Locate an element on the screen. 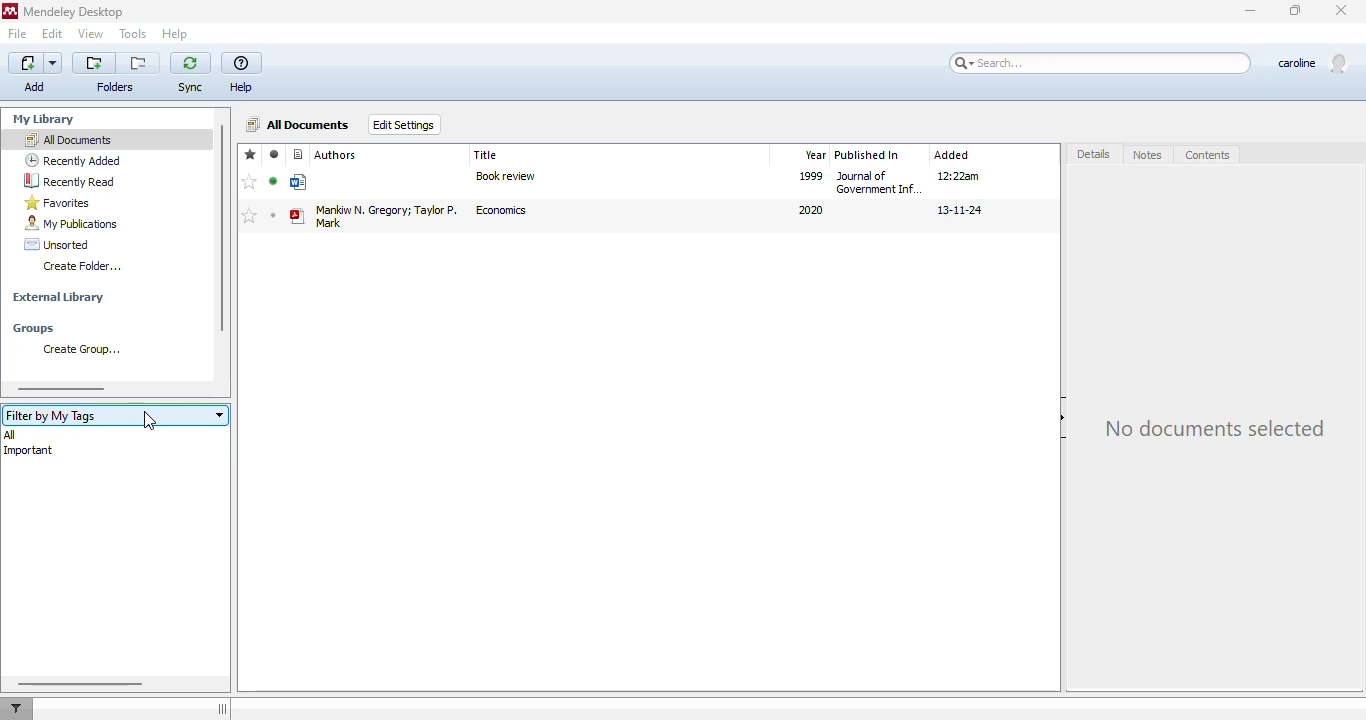 Image resolution: width=1366 pixels, height=720 pixels. 12:22am is located at coordinates (960, 175).